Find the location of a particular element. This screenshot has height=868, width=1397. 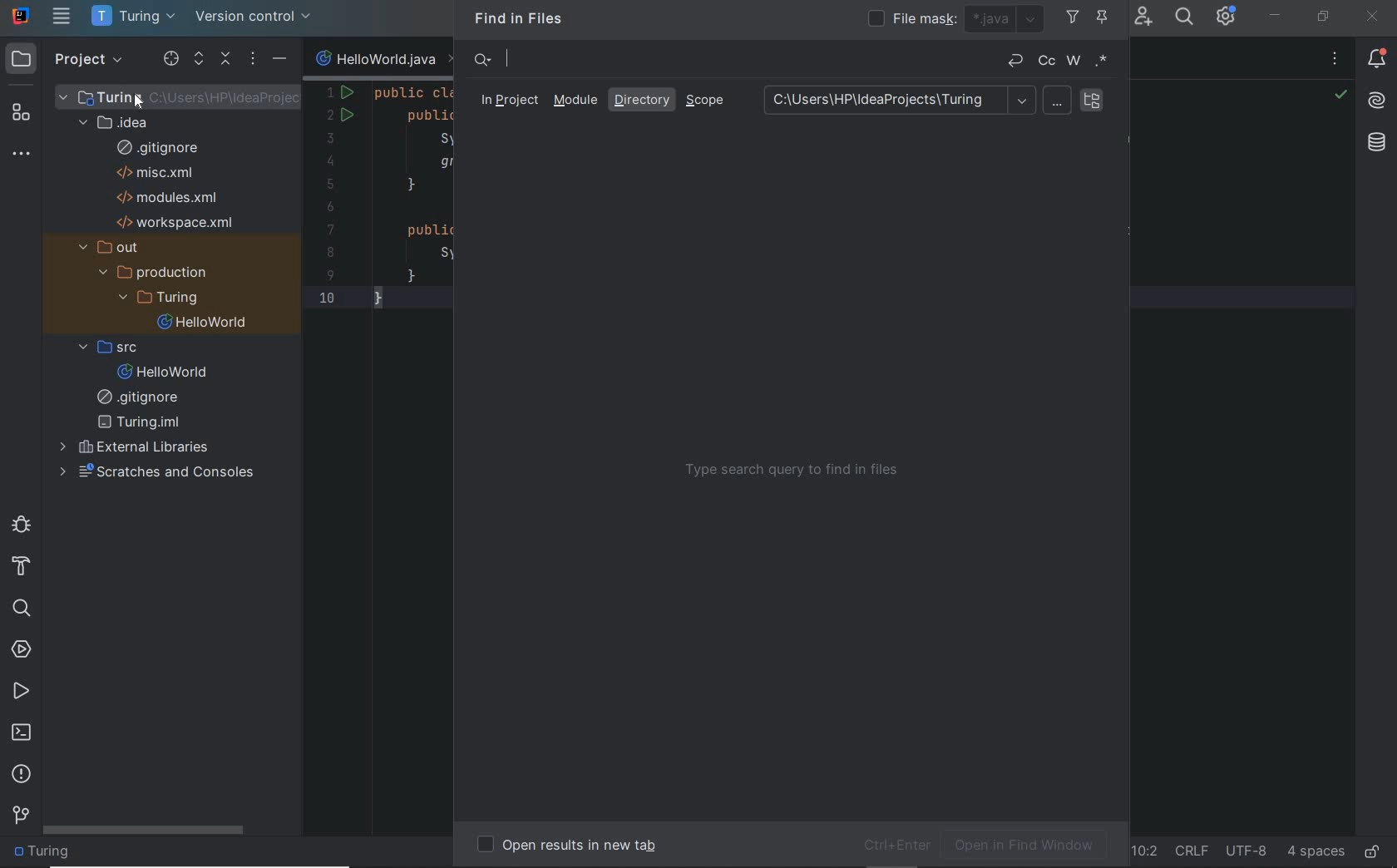

structure is located at coordinates (23, 114).